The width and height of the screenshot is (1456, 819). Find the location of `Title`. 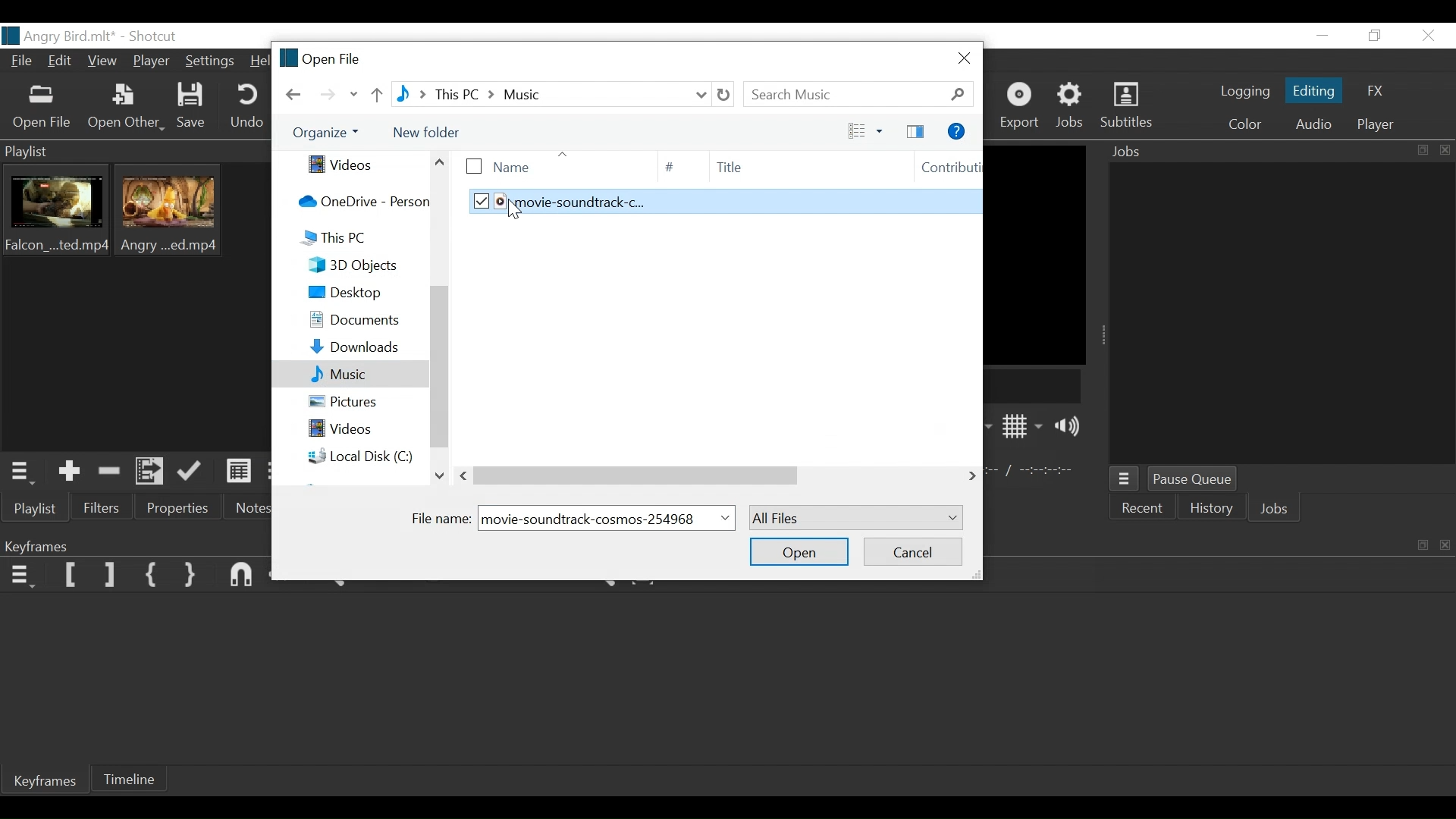

Title is located at coordinates (787, 167).